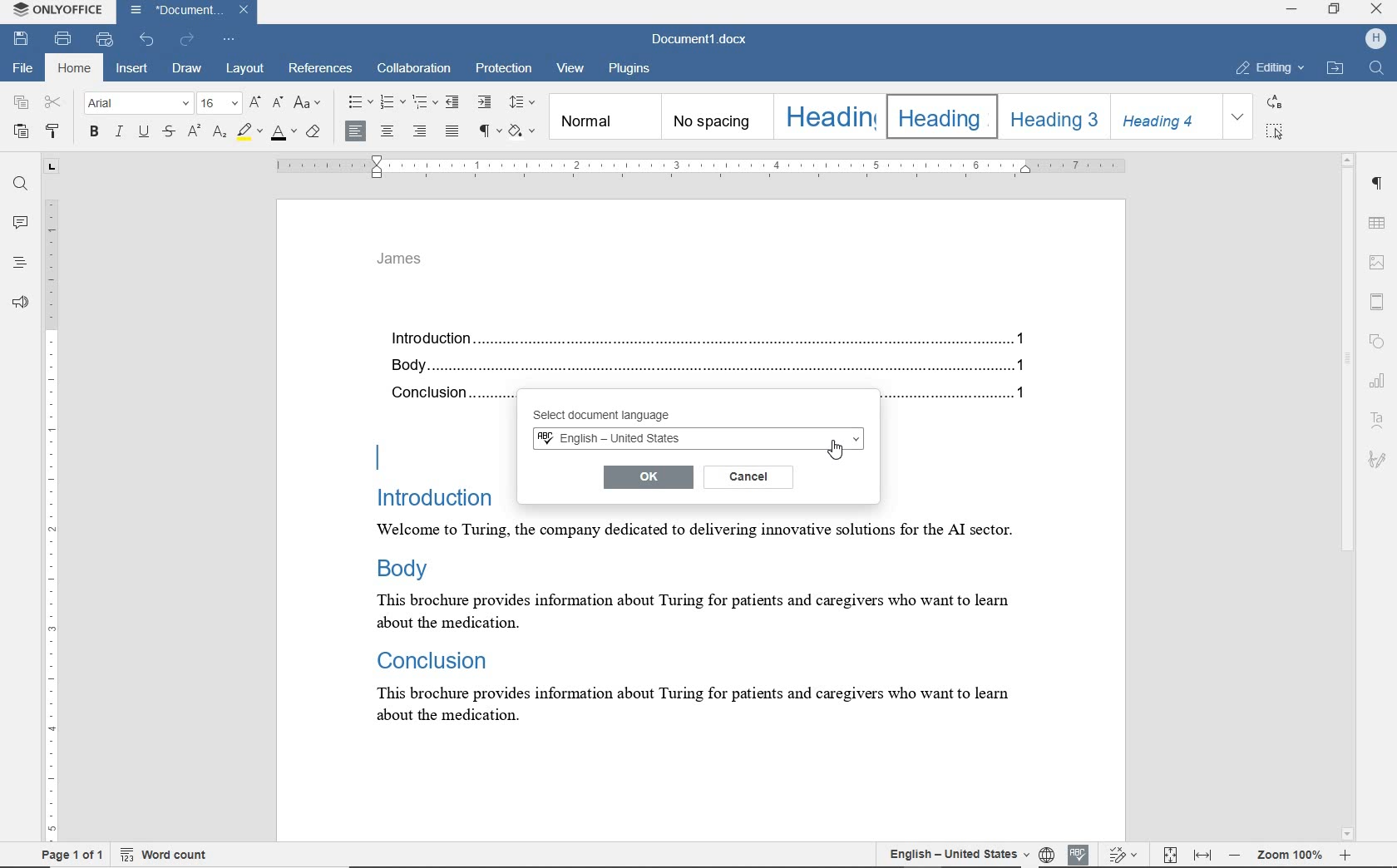 The height and width of the screenshot is (868, 1397). What do you see at coordinates (131, 69) in the screenshot?
I see `insert` at bounding box center [131, 69].